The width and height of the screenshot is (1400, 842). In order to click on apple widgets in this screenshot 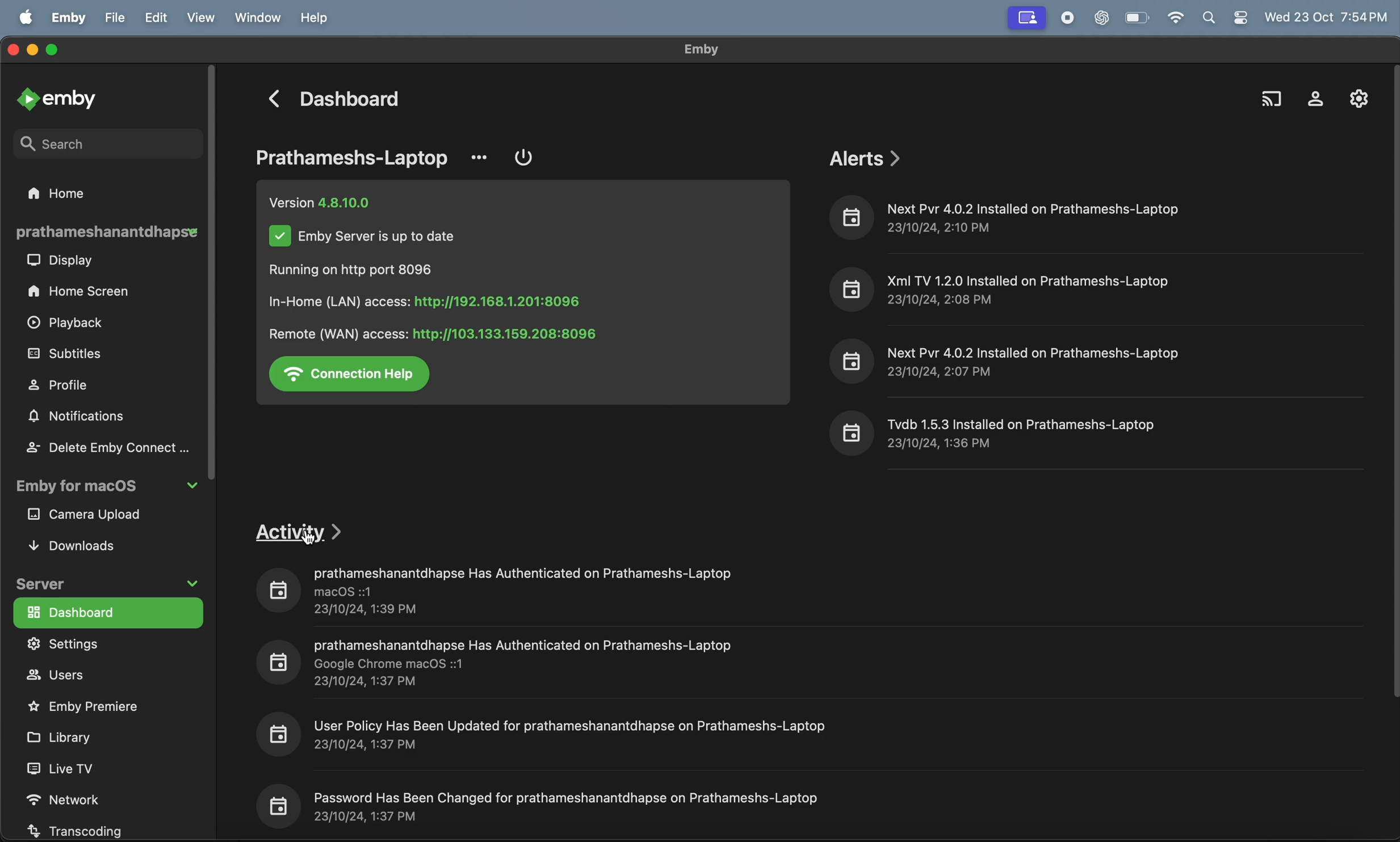, I will do `click(1225, 17)`.